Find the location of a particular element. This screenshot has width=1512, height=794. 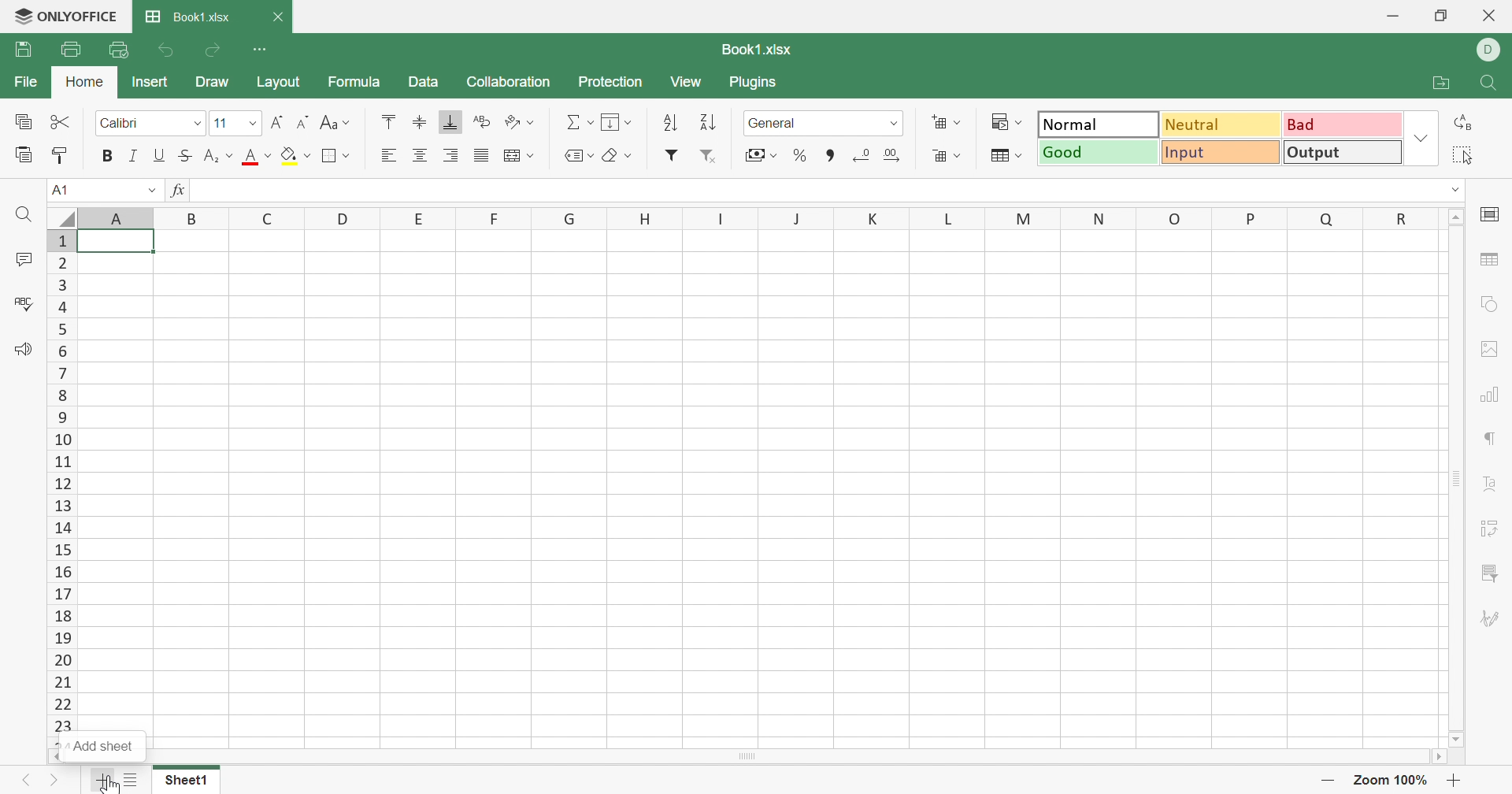

11 is located at coordinates (221, 124).